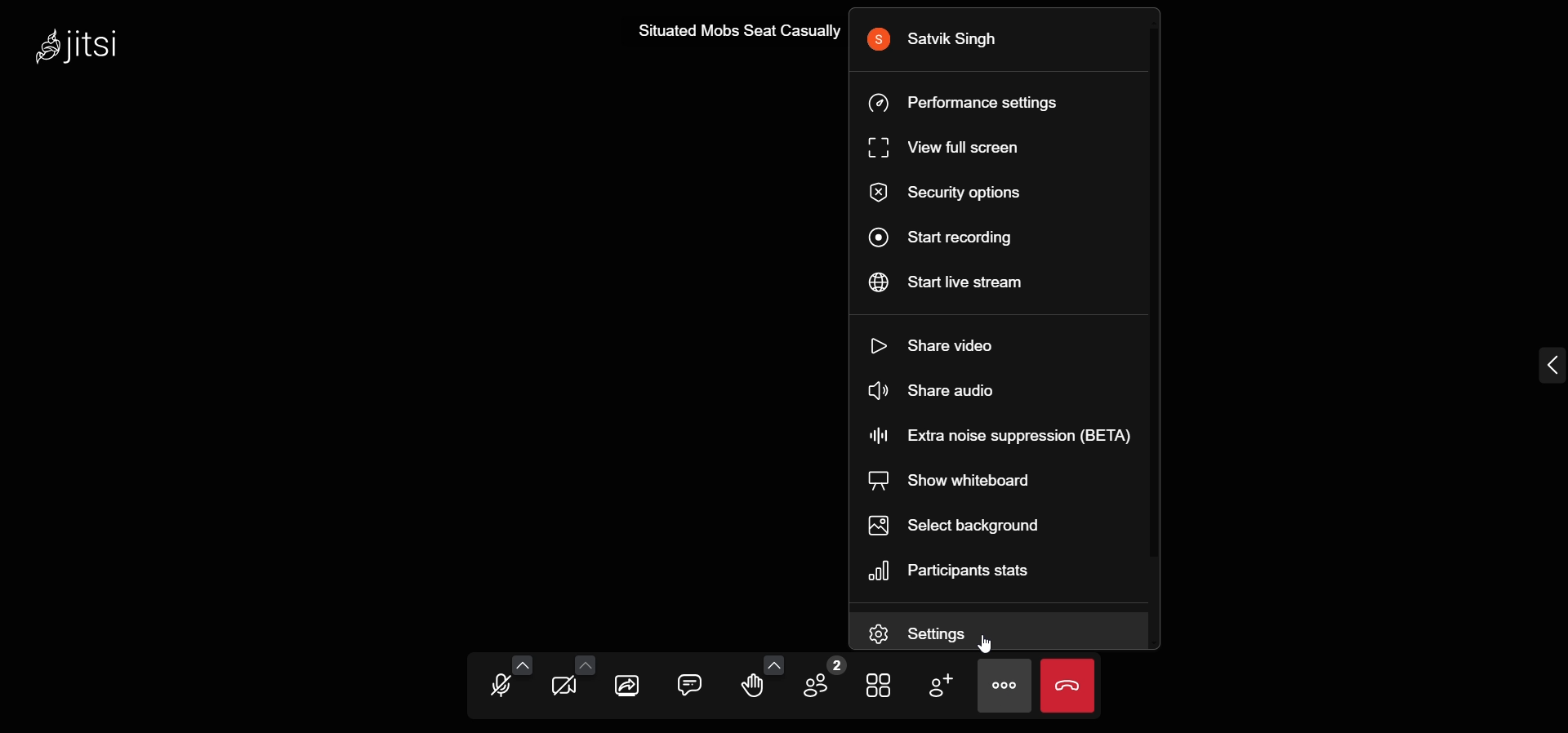  Describe the element at coordinates (1069, 682) in the screenshot. I see `leave meeting` at that location.